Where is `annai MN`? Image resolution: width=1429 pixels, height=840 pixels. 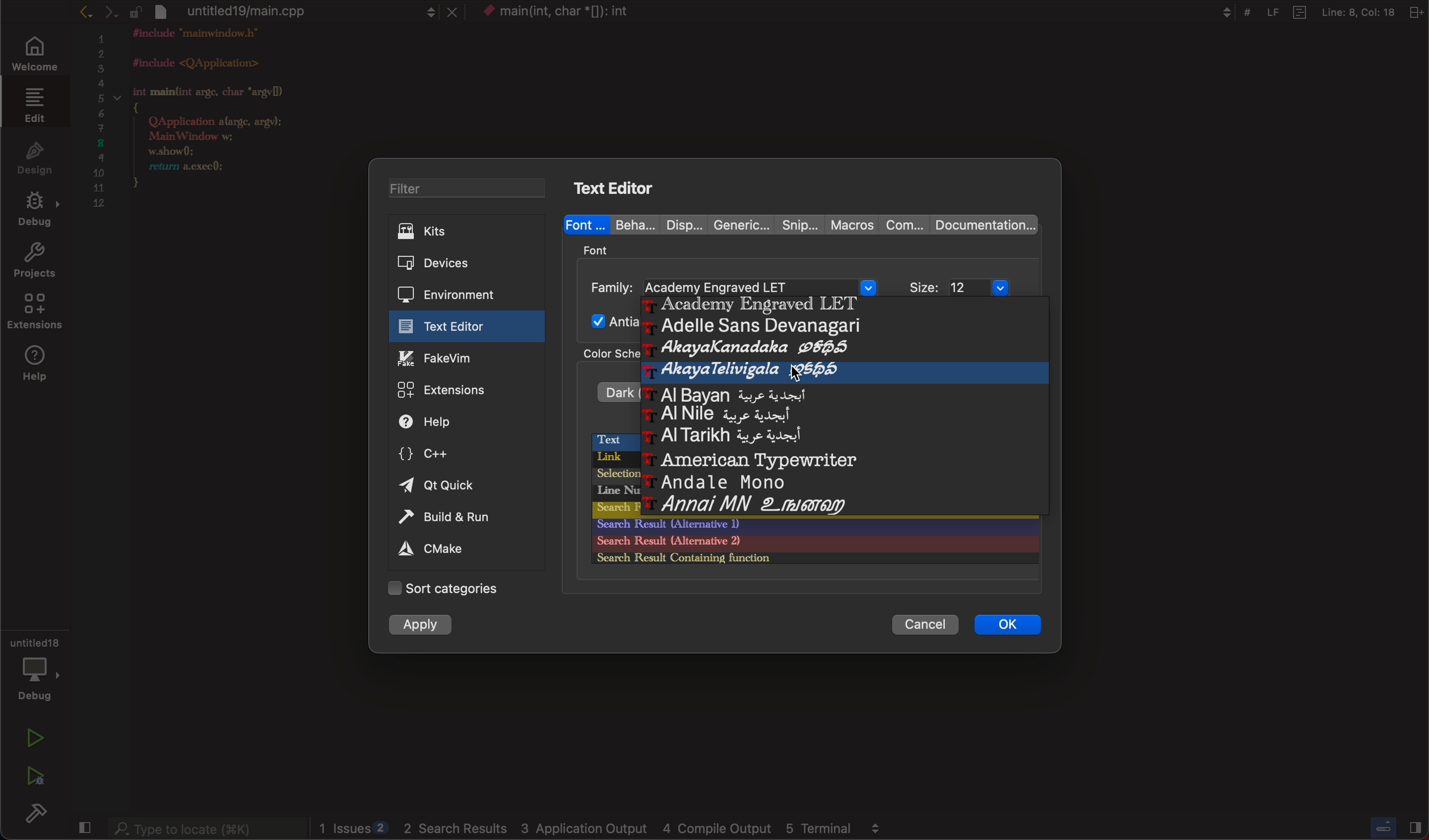 annai MN is located at coordinates (751, 506).